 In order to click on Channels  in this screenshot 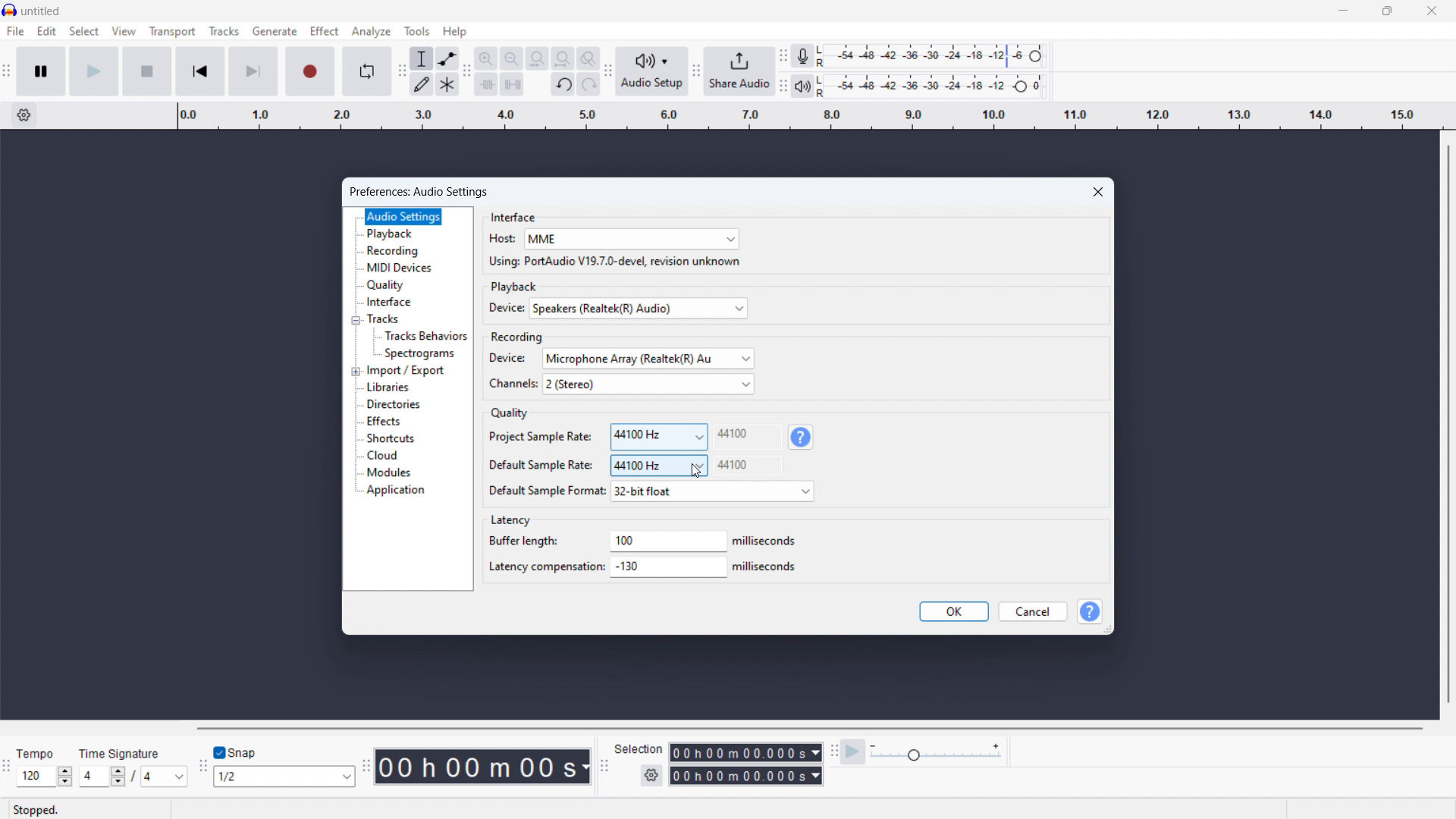, I will do `click(512, 384)`.